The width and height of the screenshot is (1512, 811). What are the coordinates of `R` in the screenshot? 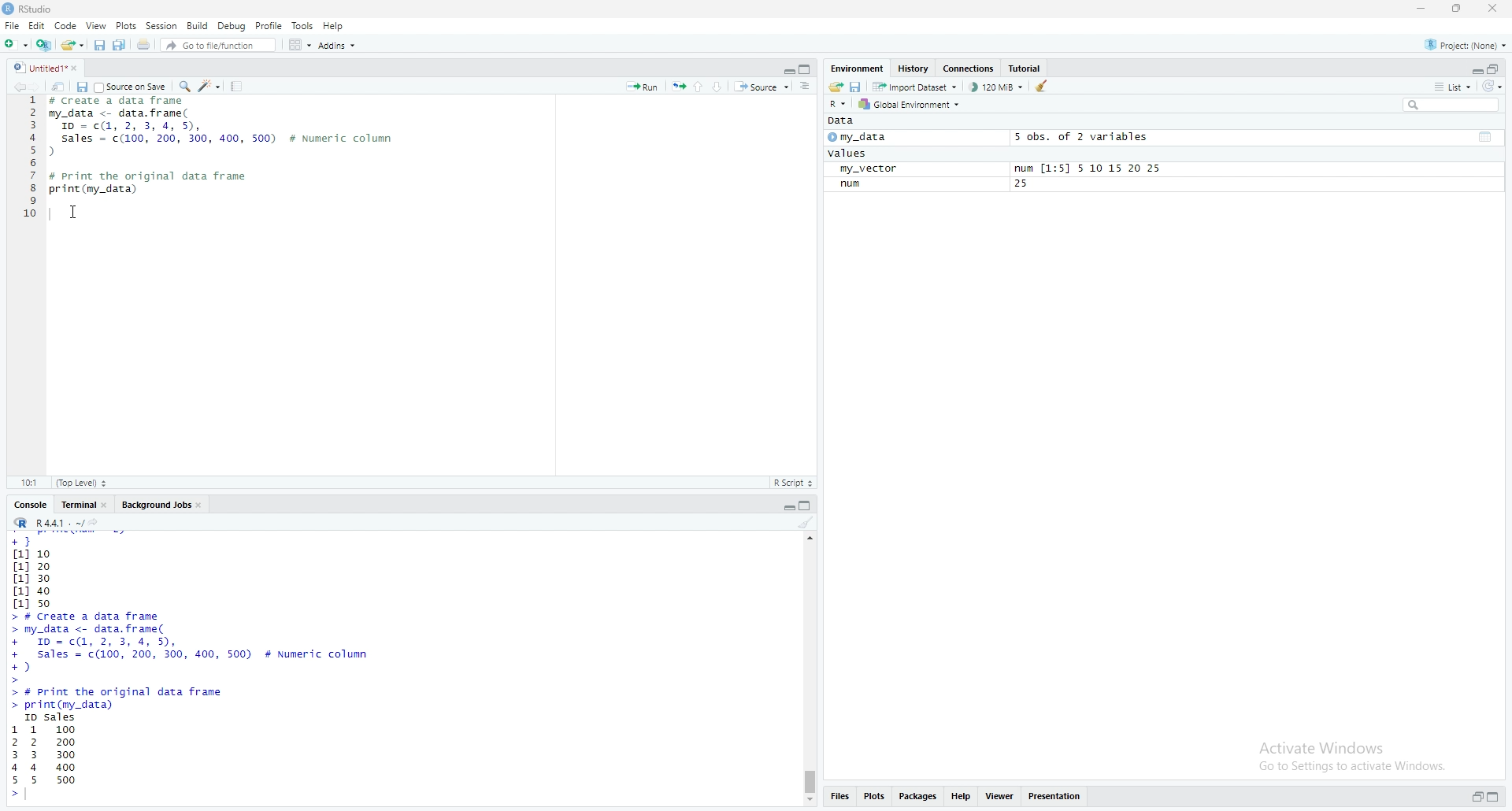 It's located at (20, 524).